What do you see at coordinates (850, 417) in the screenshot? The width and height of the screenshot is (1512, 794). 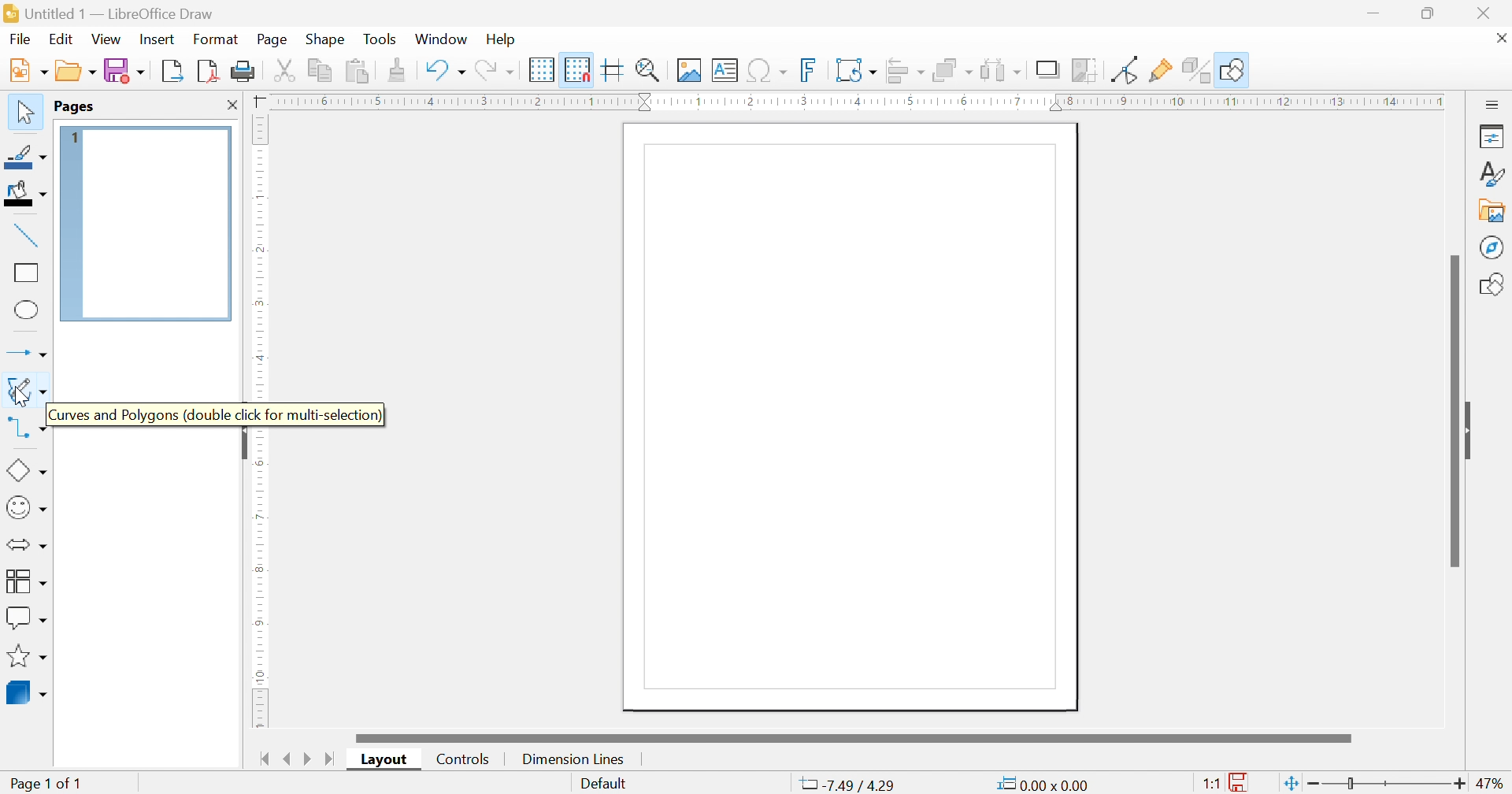 I see `page 1` at bounding box center [850, 417].